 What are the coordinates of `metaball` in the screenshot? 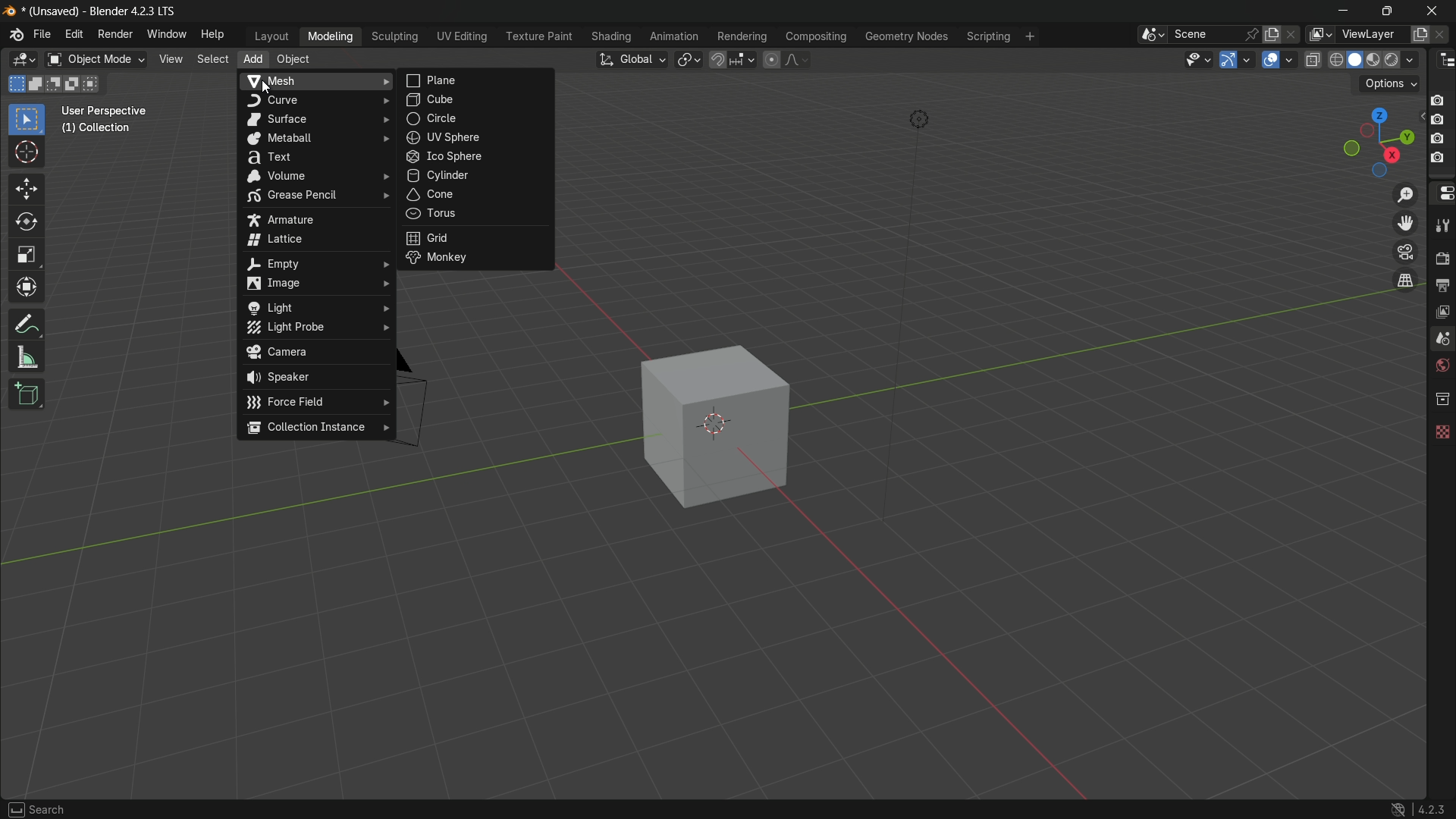 It's located at (317, 139).